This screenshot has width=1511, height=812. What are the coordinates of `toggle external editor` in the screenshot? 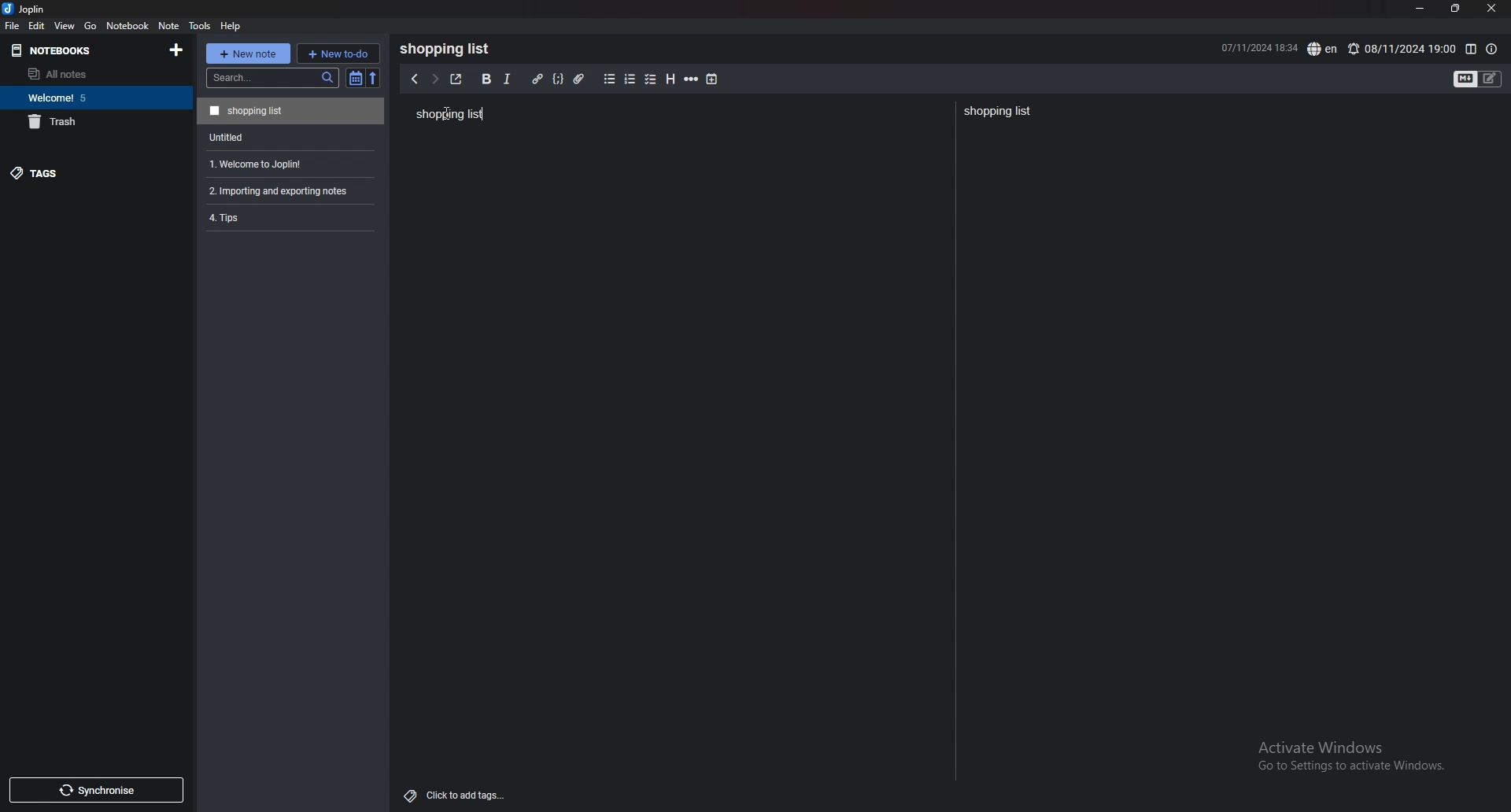 It's located at (456, 79).